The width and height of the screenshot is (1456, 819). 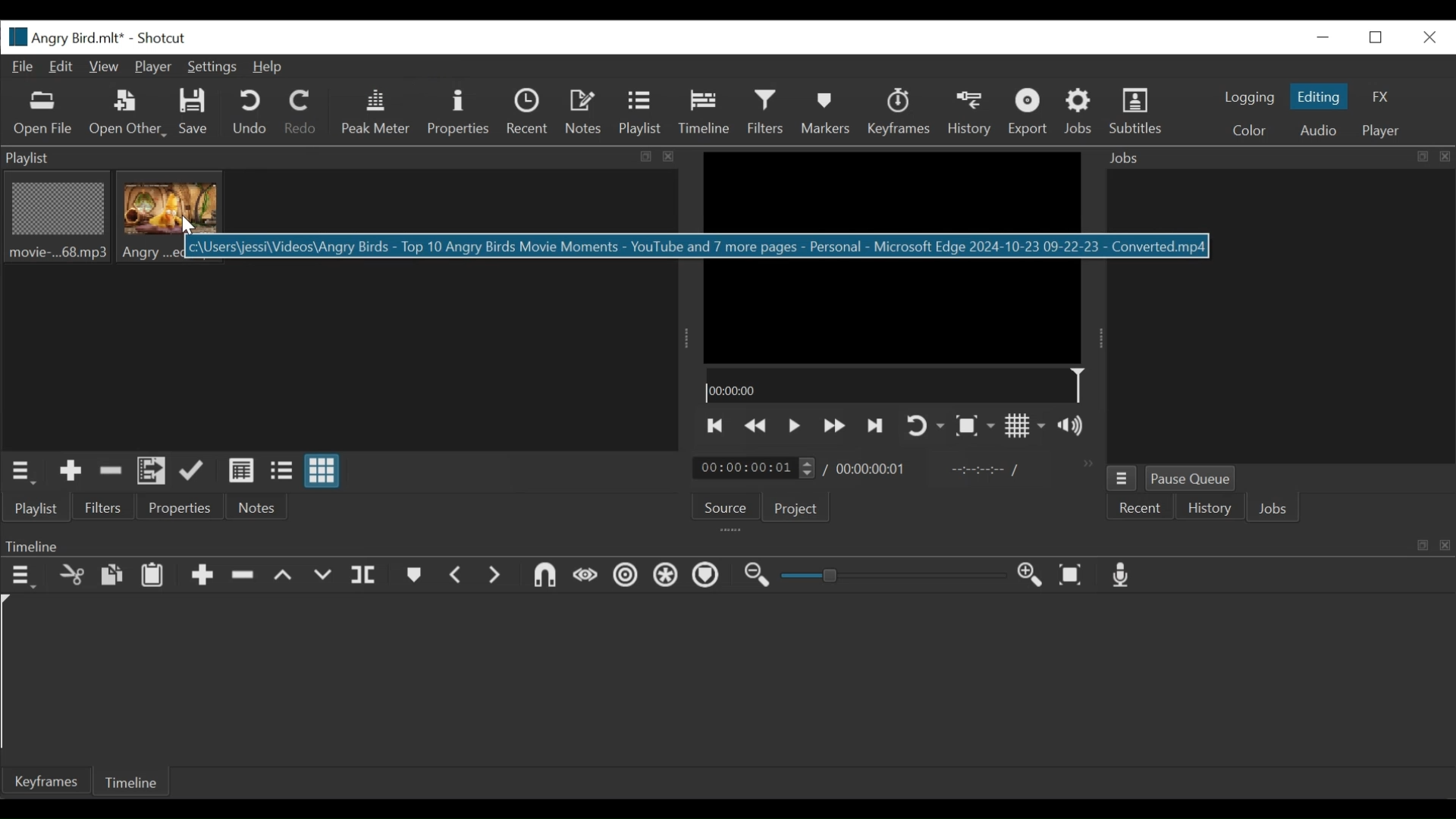 What do you see at coordinates (1426, 36) in the screenshot?
I see `Close` at bounding box center [1426, 36].